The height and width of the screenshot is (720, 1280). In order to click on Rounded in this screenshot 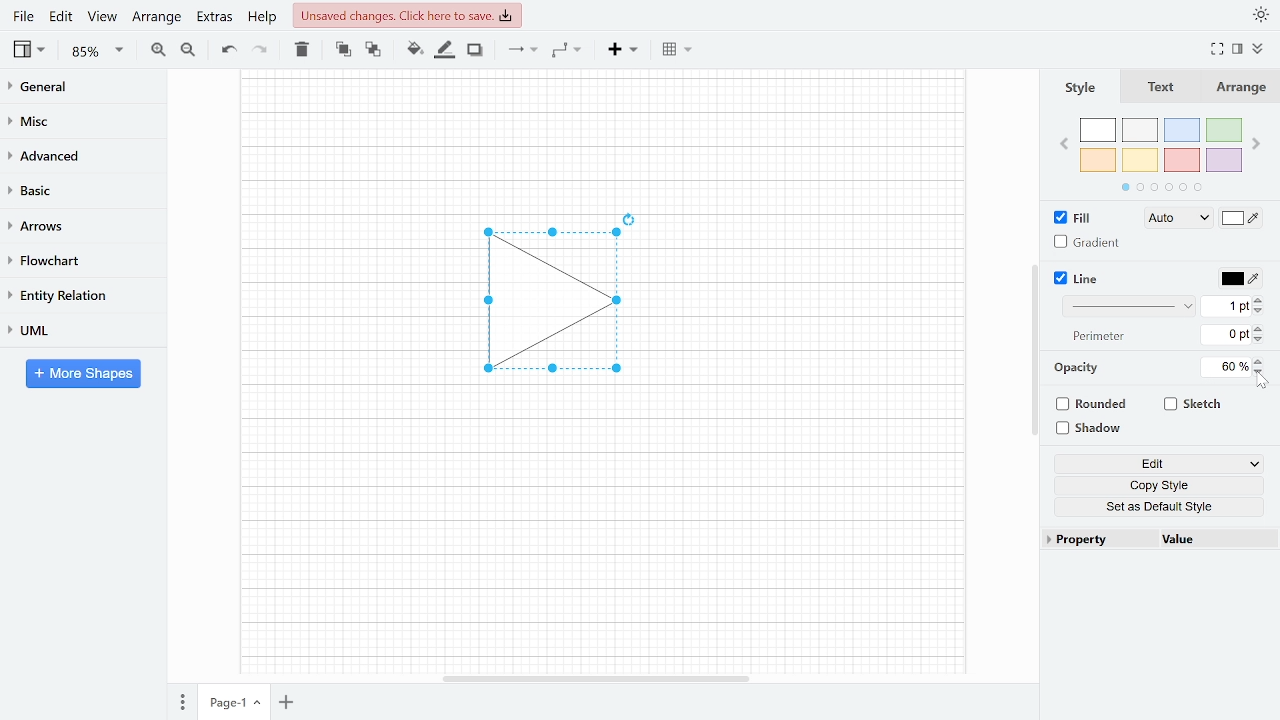, I will do `click(1094, 406)`.